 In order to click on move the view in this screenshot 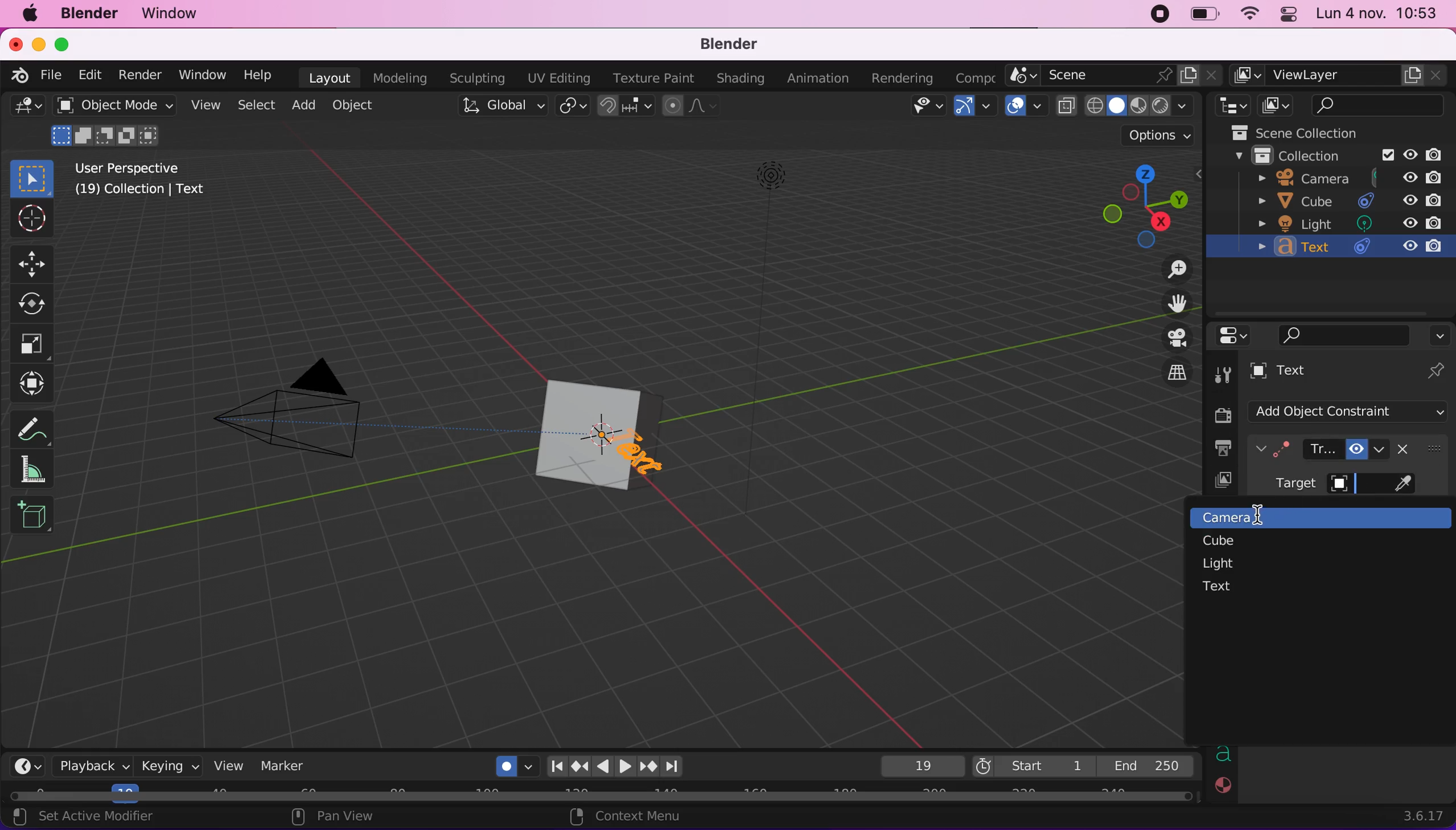, I will do `click(1177, 304)`.